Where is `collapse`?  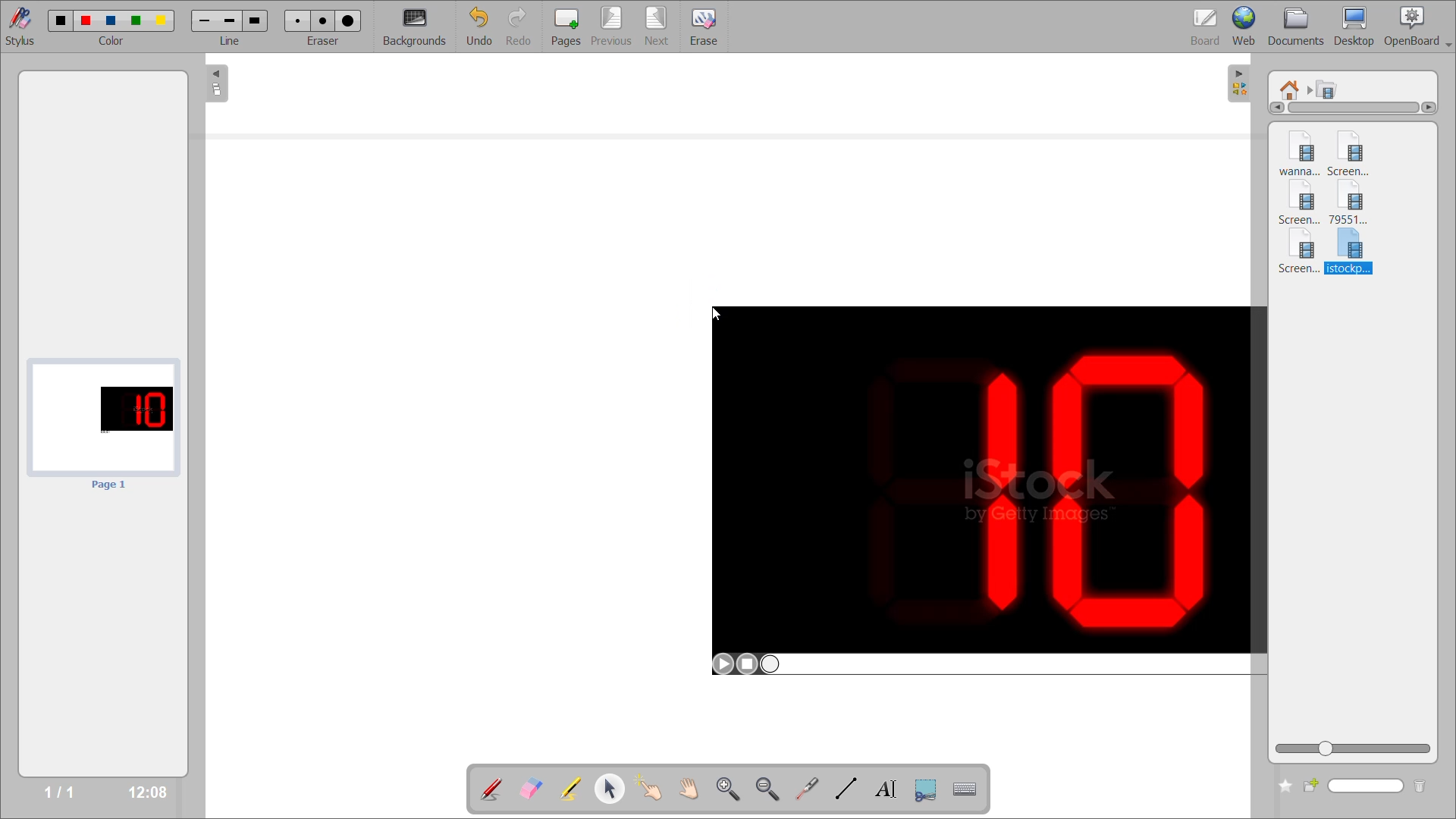
collapse is located at coordinates (215, 86).